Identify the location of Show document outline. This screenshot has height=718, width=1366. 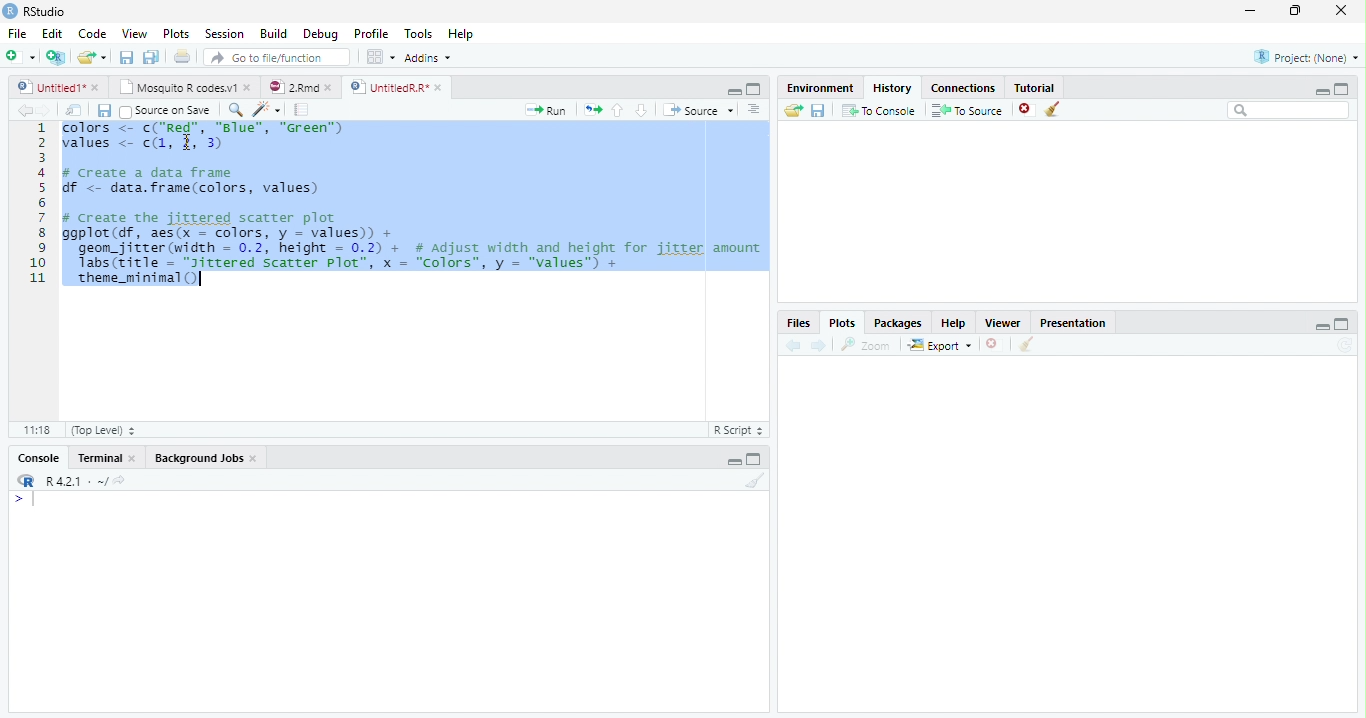
(753, 109).